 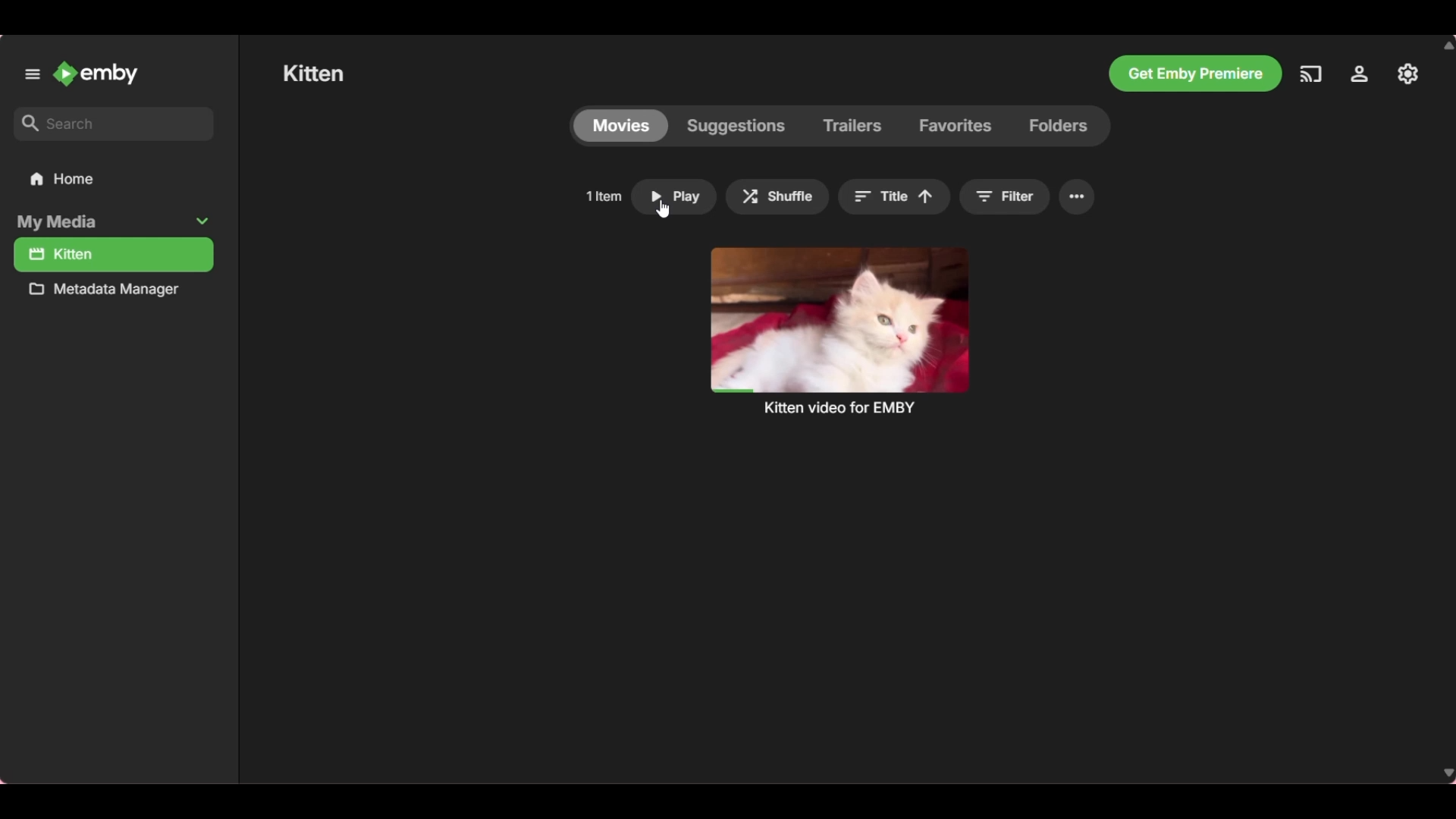 What do you see at coordinates (1005, 196) in the screenshot?
I see `Filter` at bounding box center [1005, 196].